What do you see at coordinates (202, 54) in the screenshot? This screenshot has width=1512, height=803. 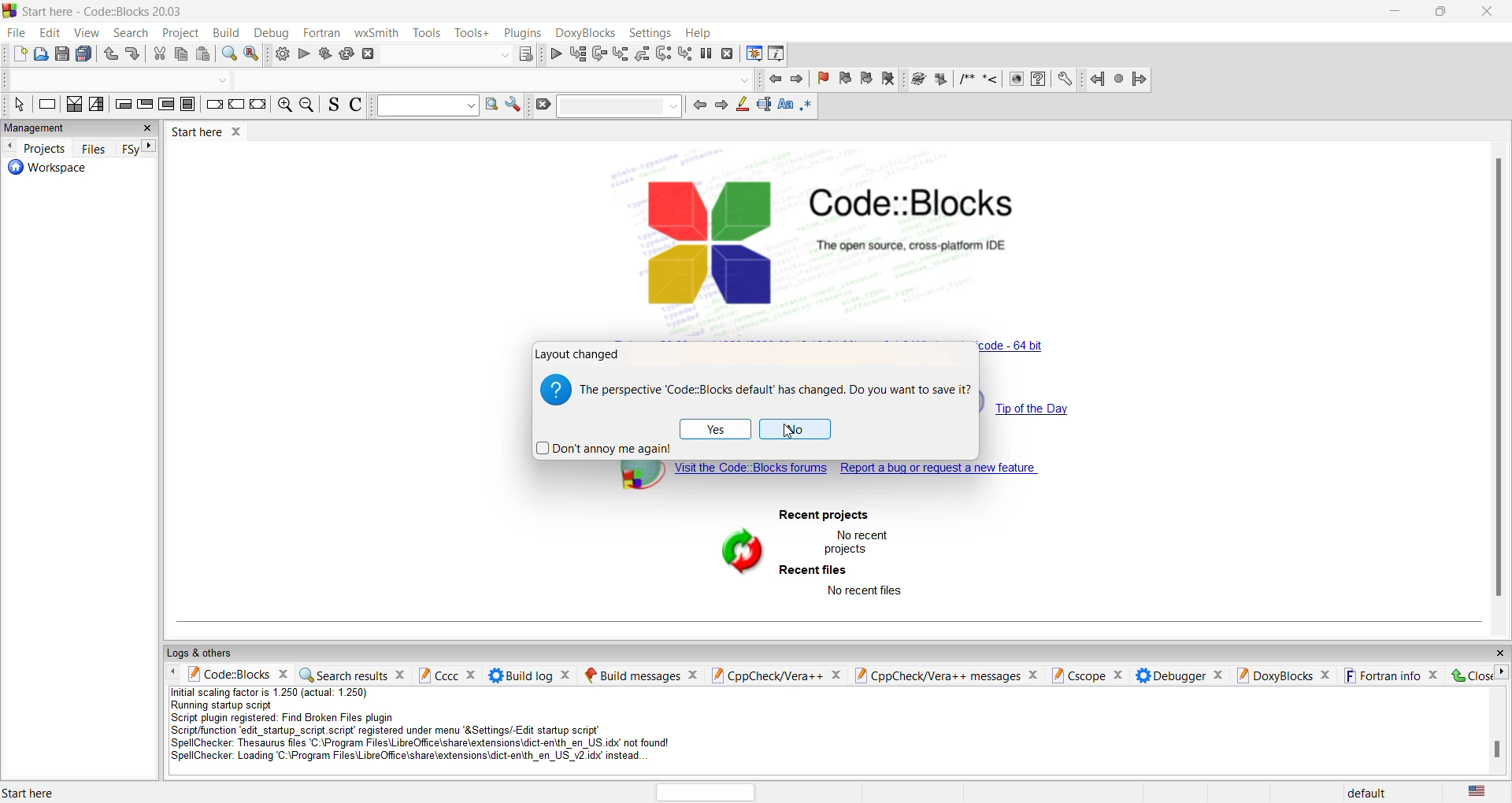 I see `paste` at bounding box center [202, 54].